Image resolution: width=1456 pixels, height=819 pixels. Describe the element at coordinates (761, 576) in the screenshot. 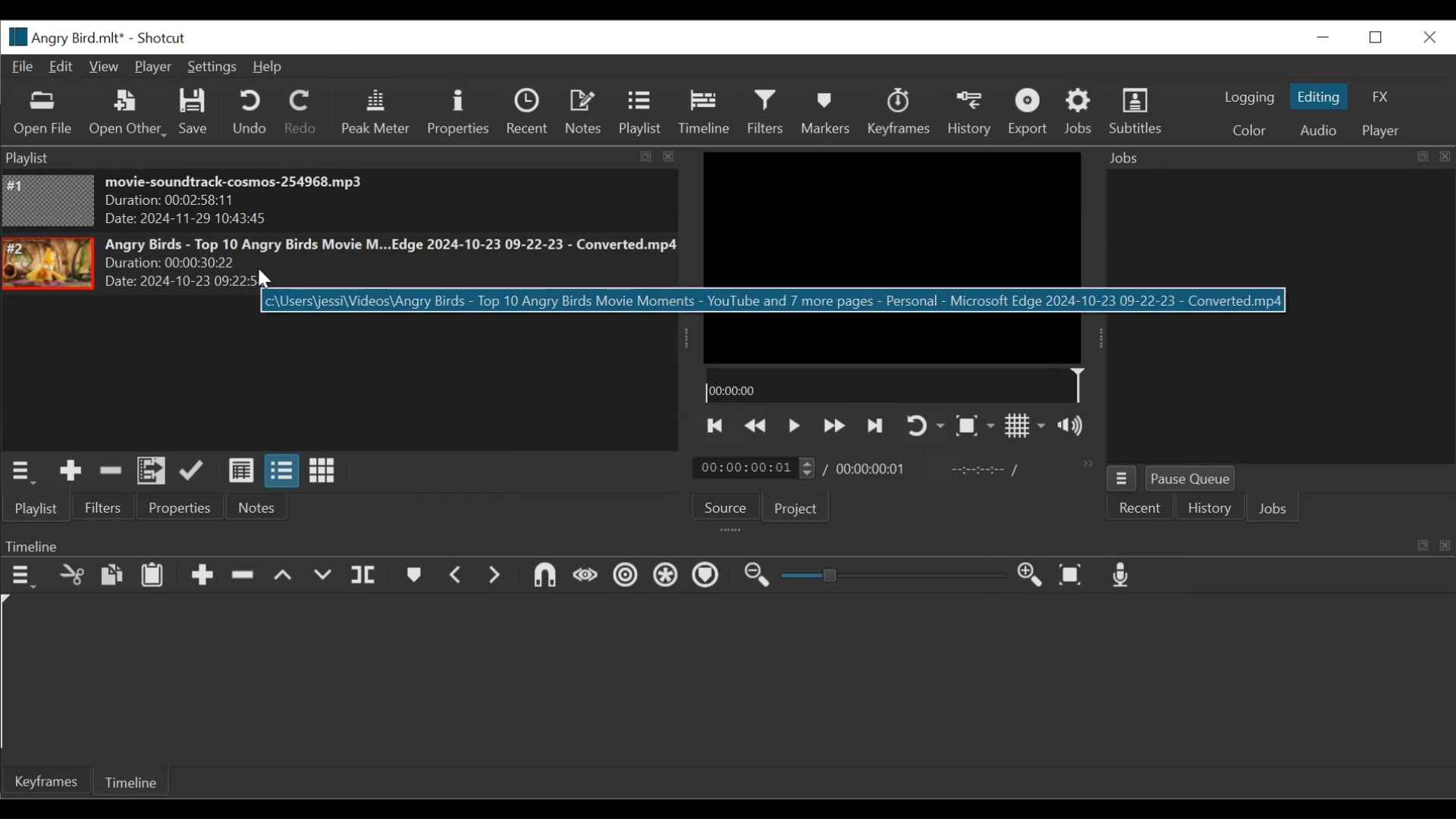

I see `Zoom timeline out` at that location.